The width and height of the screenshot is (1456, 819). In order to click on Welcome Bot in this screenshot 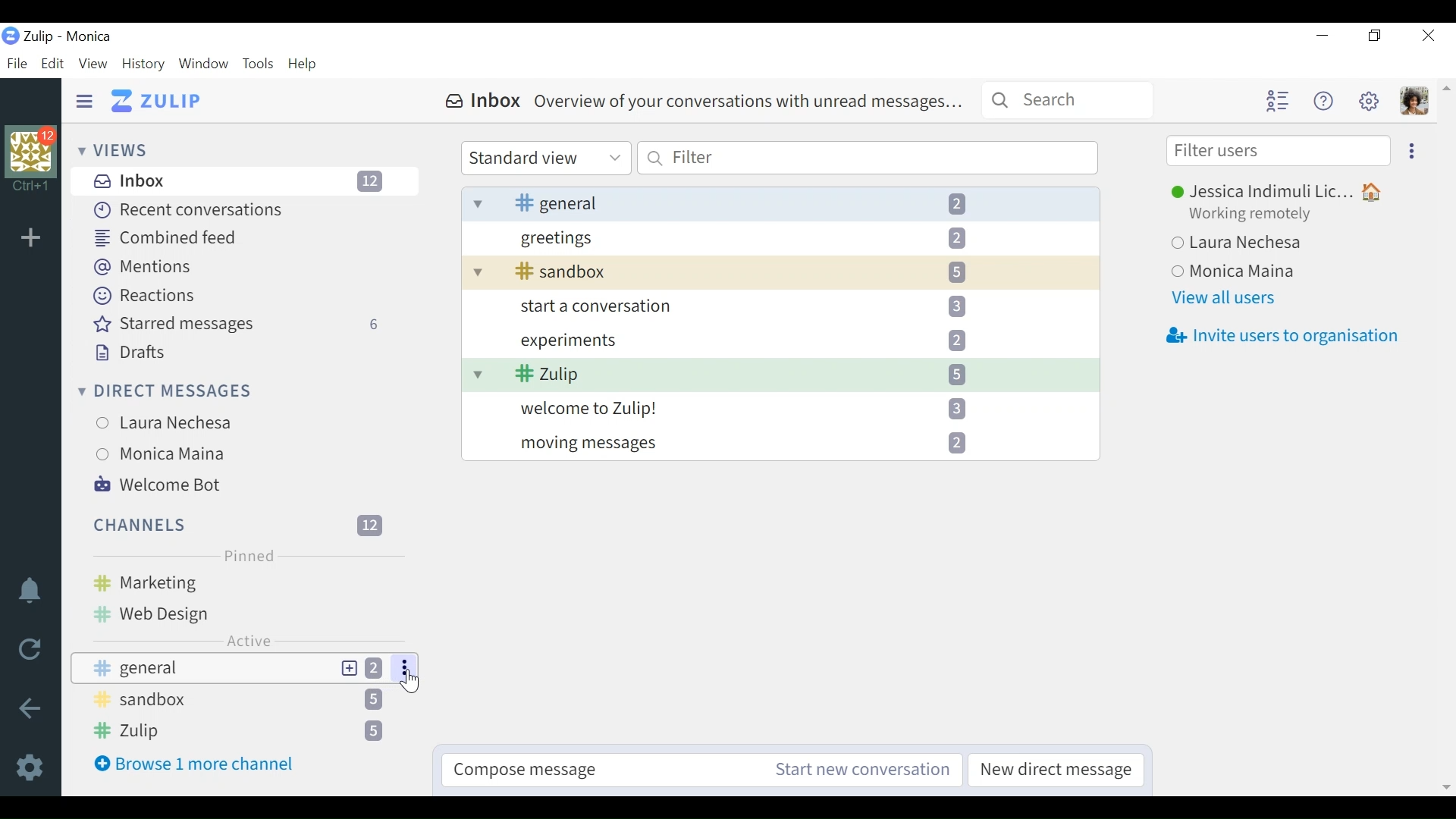, I will do `click(161, 483)`.